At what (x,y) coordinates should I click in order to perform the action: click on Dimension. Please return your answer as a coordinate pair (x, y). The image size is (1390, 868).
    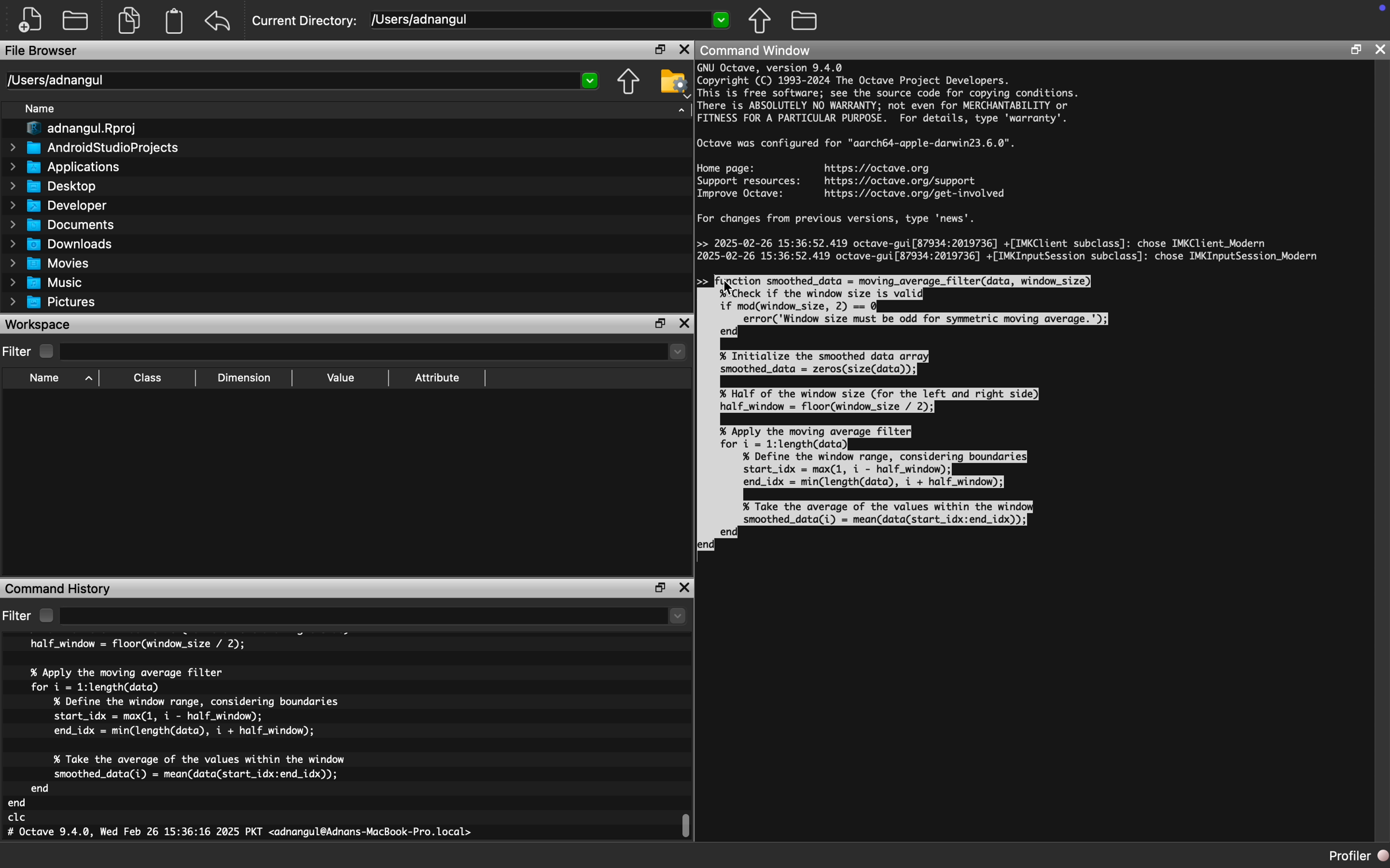
    Looking at the image, I should click on (245, 378).